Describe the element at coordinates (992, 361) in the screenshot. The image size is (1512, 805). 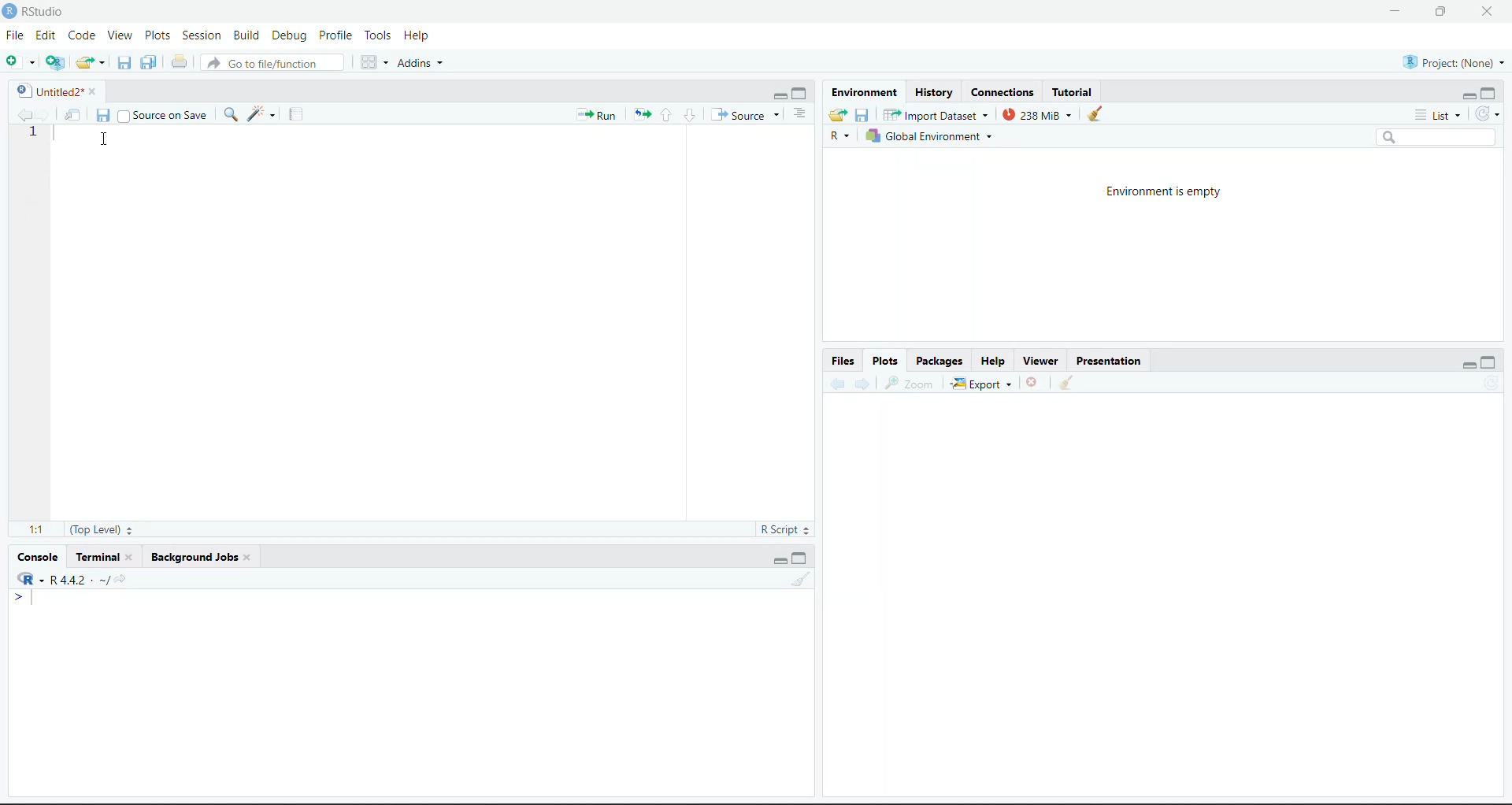
I see `Help` at that location.